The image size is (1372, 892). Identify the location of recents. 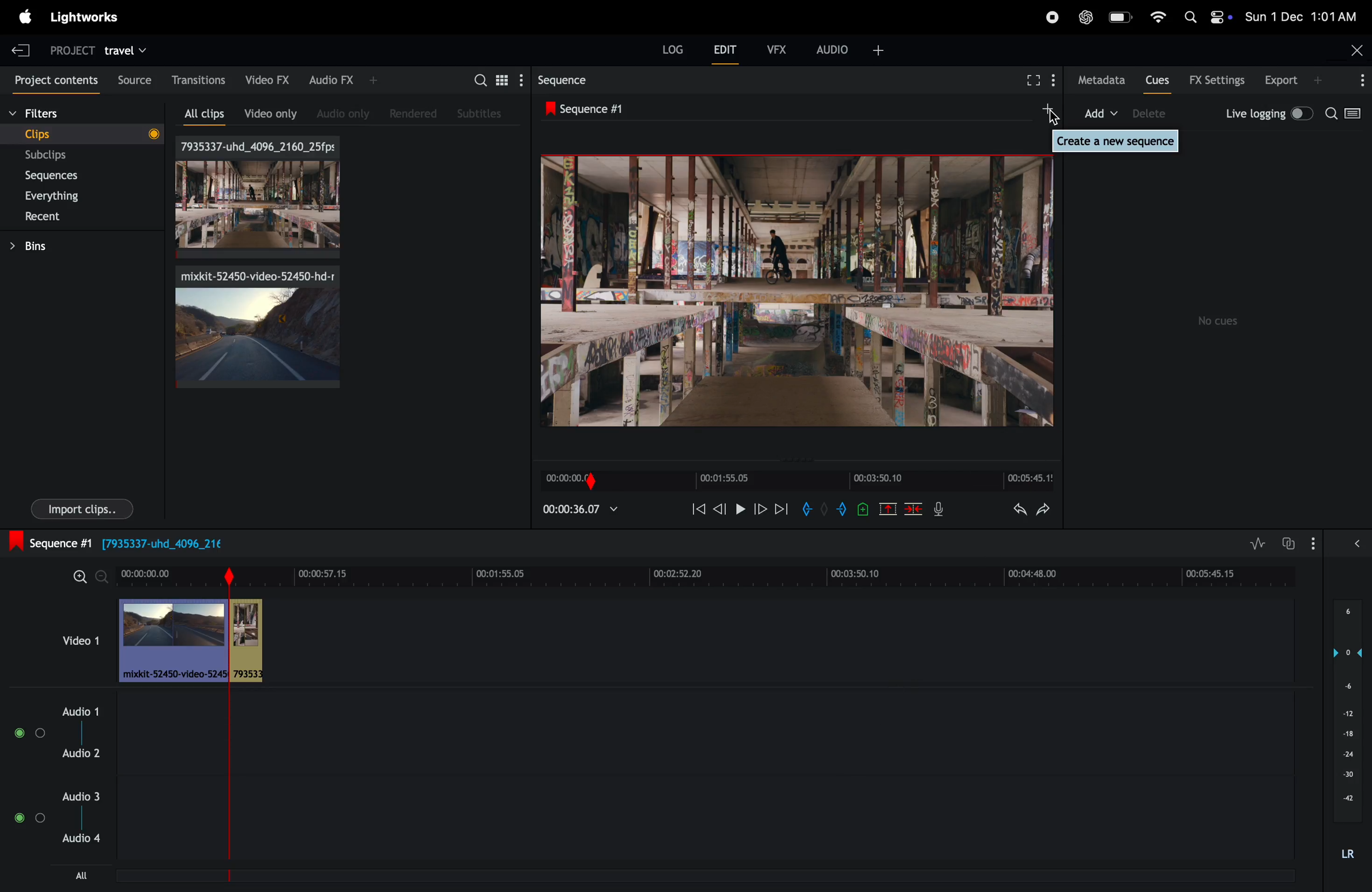
(86, 217).